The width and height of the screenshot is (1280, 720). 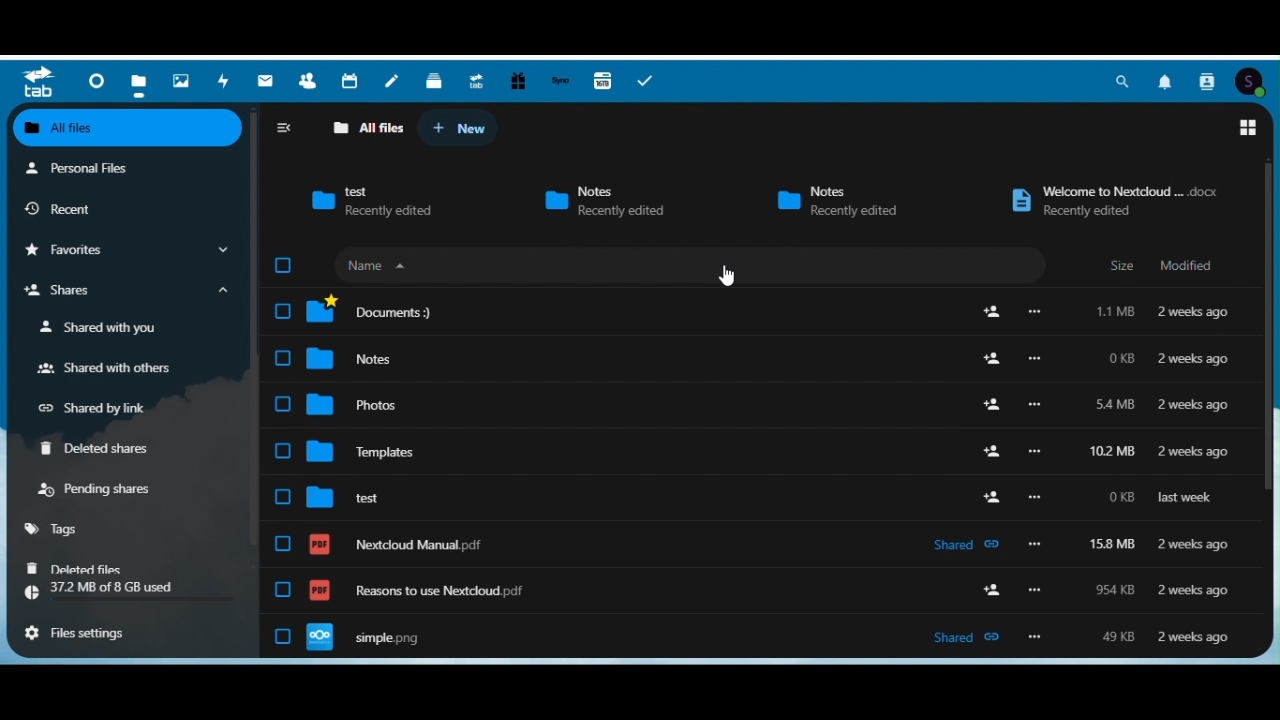 I want to click on Calendar, so click(x=350, y=80).